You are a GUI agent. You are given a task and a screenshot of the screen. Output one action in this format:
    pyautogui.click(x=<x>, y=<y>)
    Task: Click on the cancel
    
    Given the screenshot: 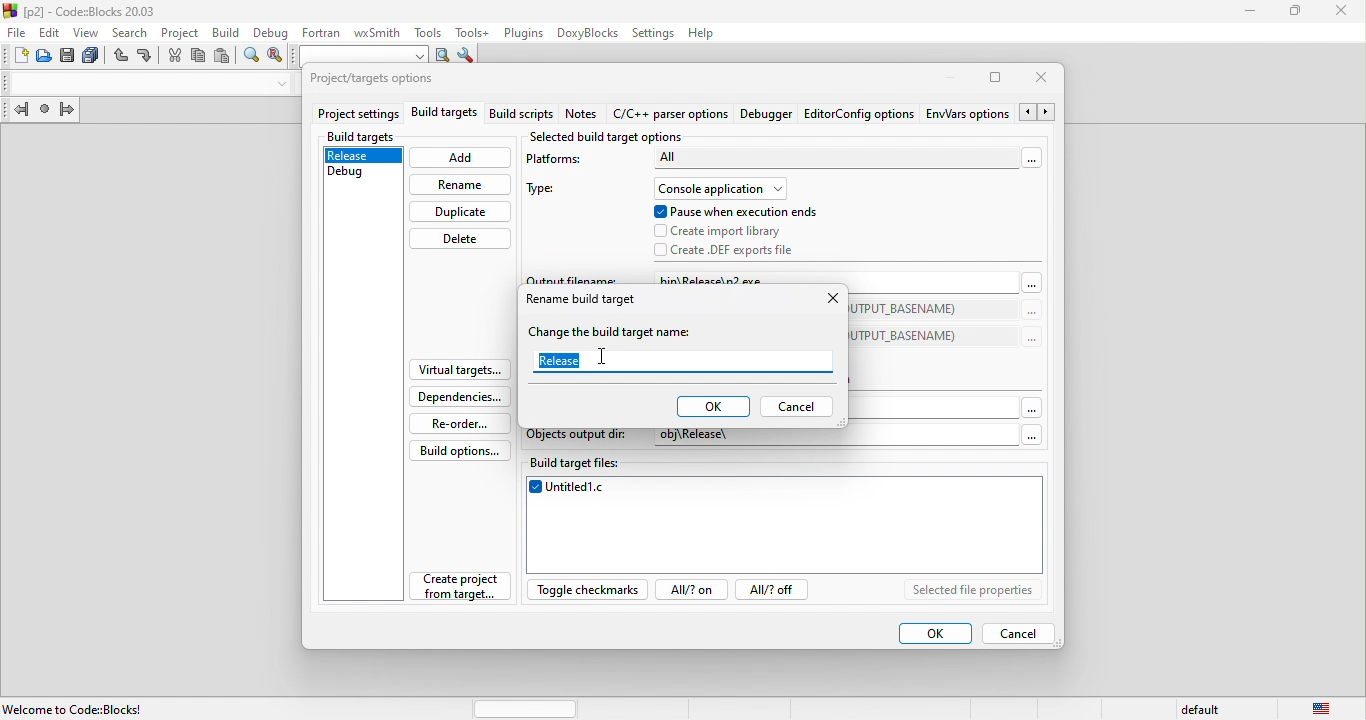 What is the action you would take?
    pyautogui.click(x=1018, y=632)
    